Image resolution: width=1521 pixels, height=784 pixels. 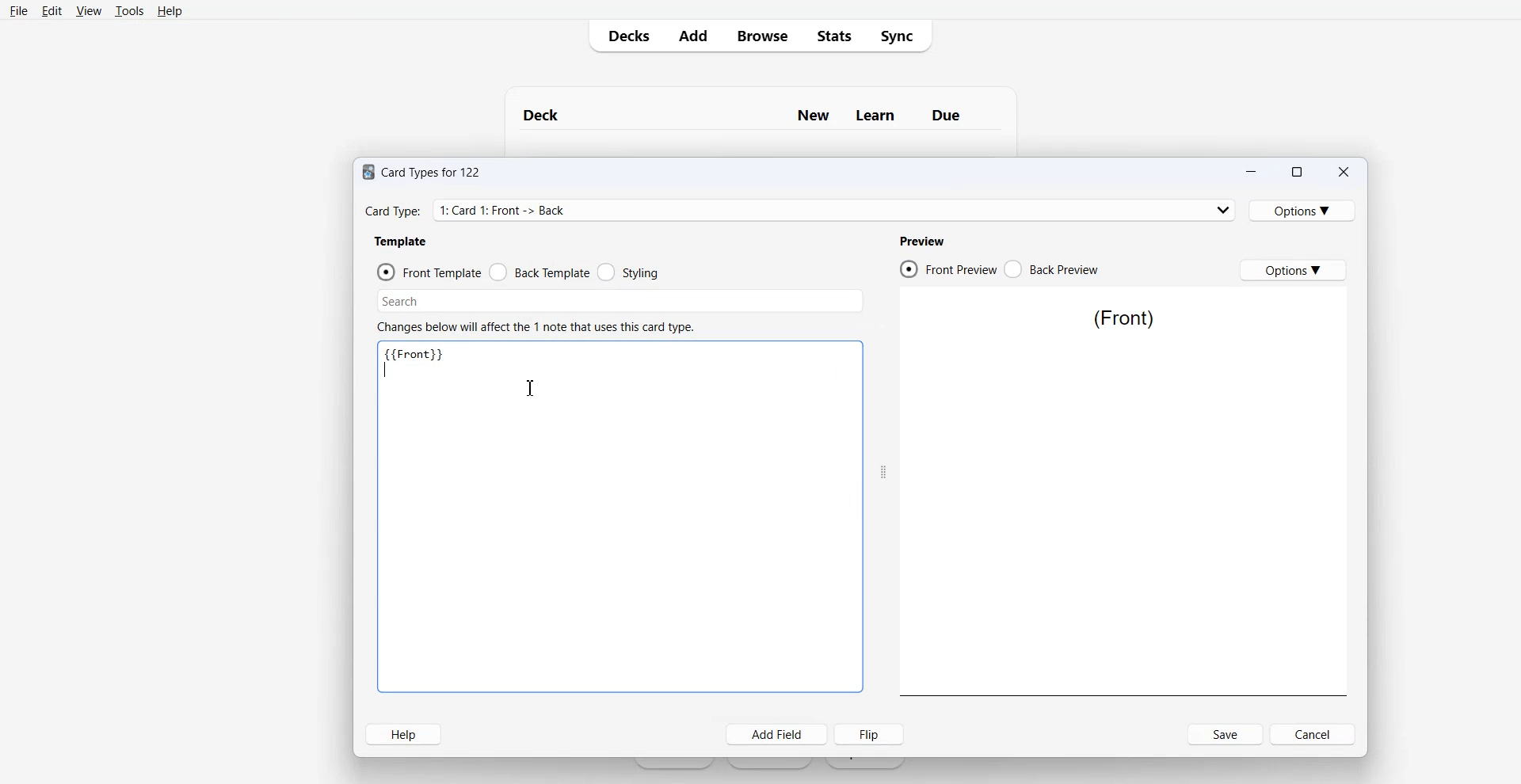 What do you see at coordinates (534, 388) in the screenshot?
I see `Text Cursor` at bounding box center [534, 388].